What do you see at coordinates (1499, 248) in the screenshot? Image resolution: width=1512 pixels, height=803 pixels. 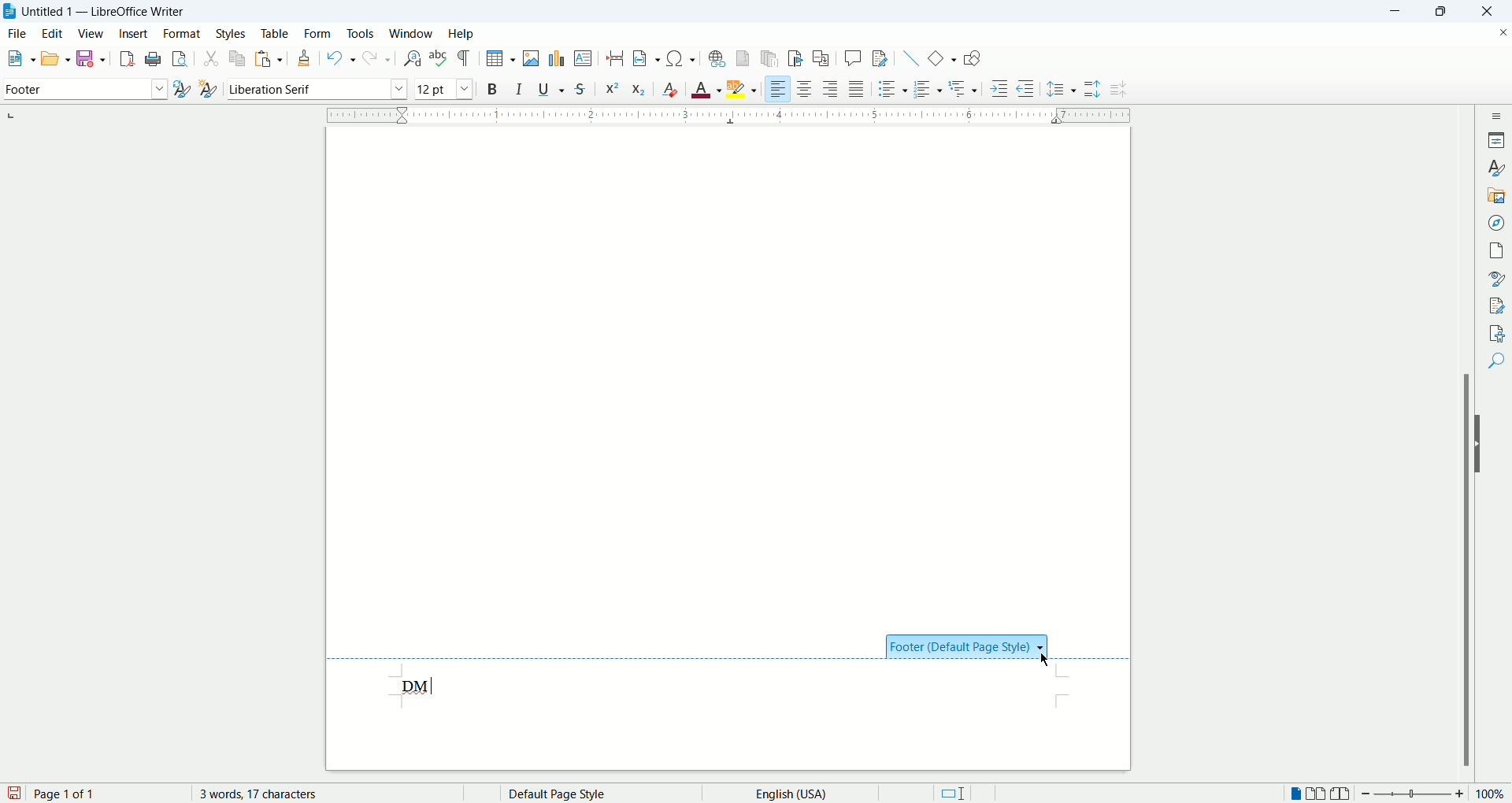 I see `page` at bounding box center [1499, 248].